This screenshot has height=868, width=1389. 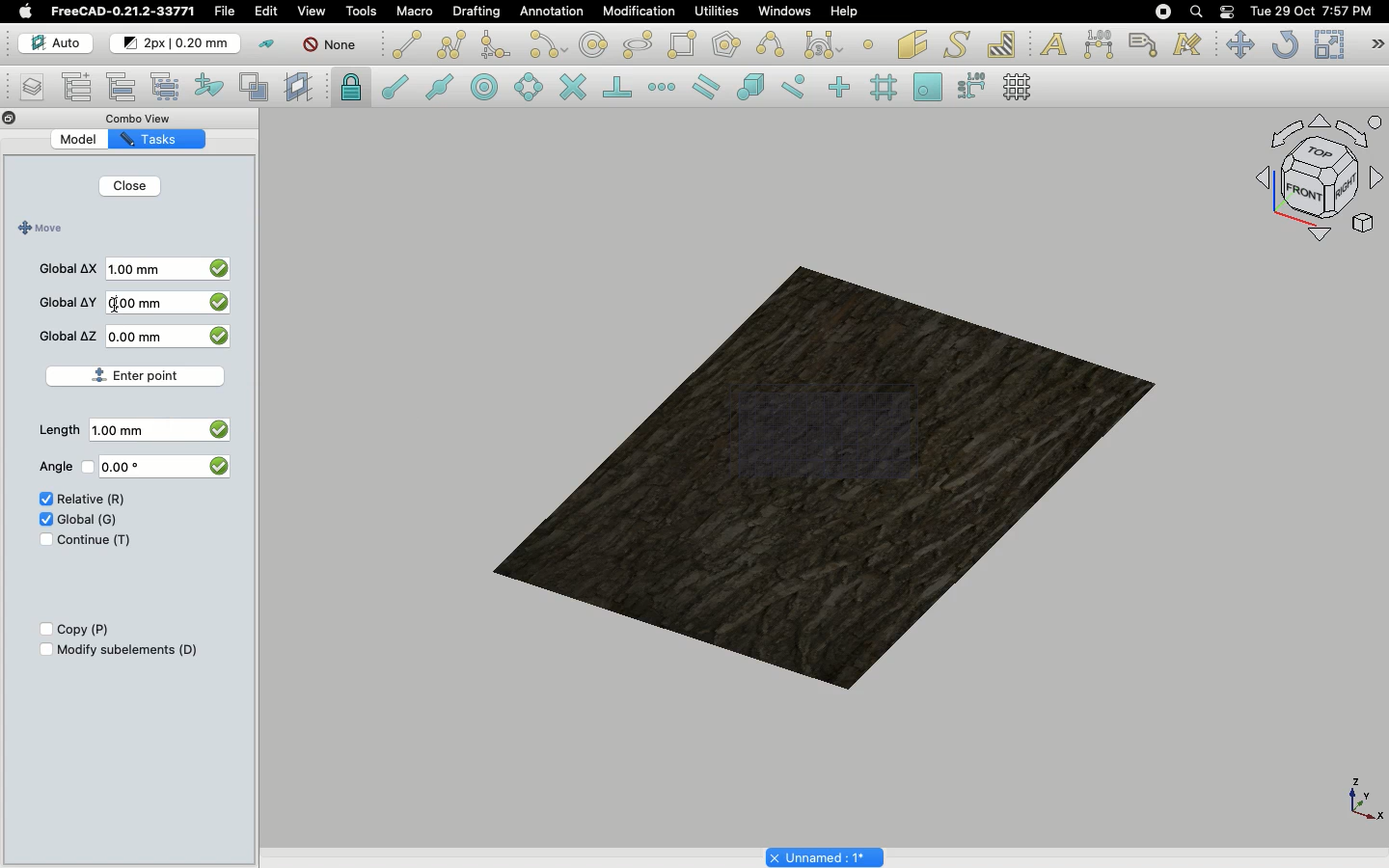 I want to click on Snap working plane, so click(x=928, y=89).